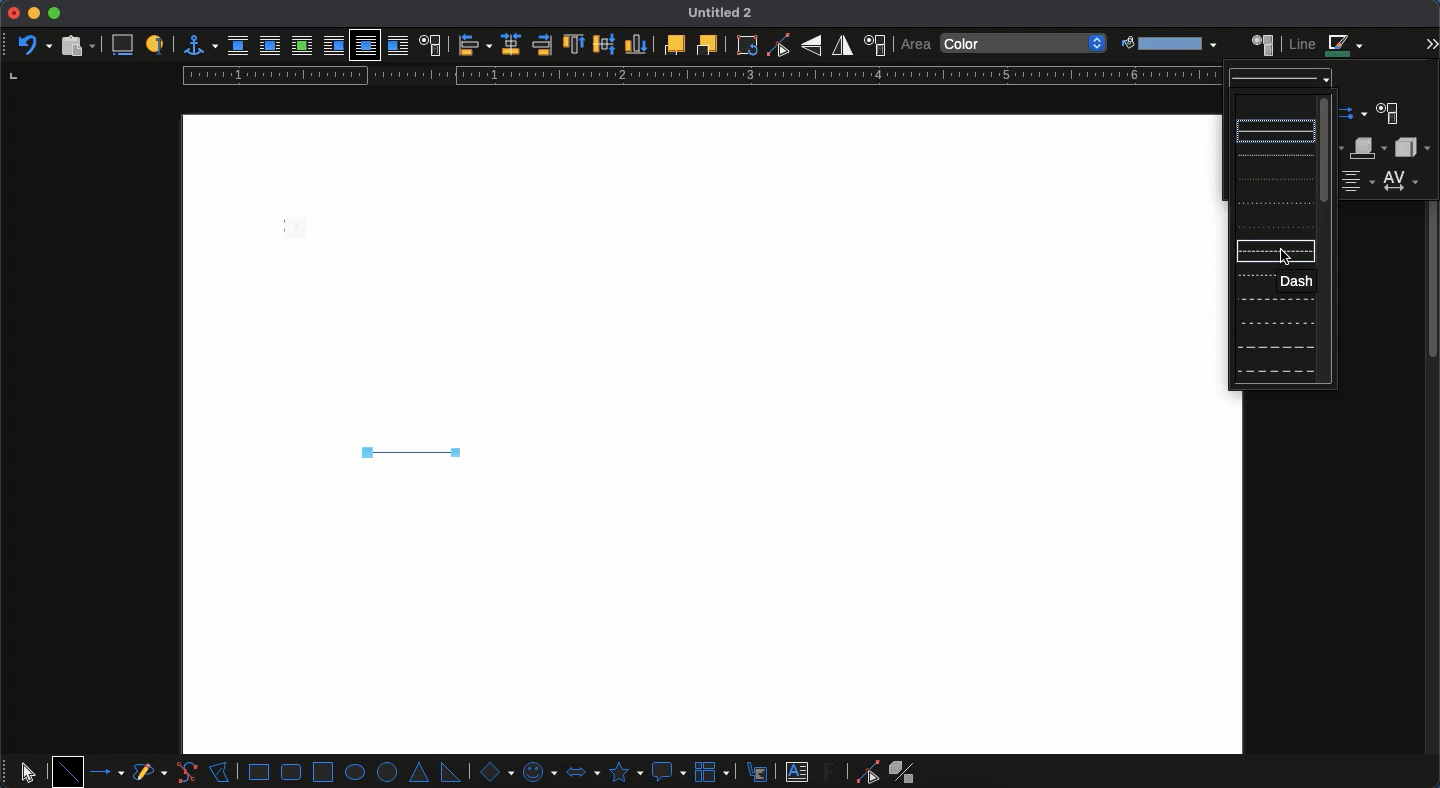 The width and height of the screenshot is (1440, 788). Describe the element at coordinates (1399, 180) in the screenshot. I see `fontwork character spacing` at that location.